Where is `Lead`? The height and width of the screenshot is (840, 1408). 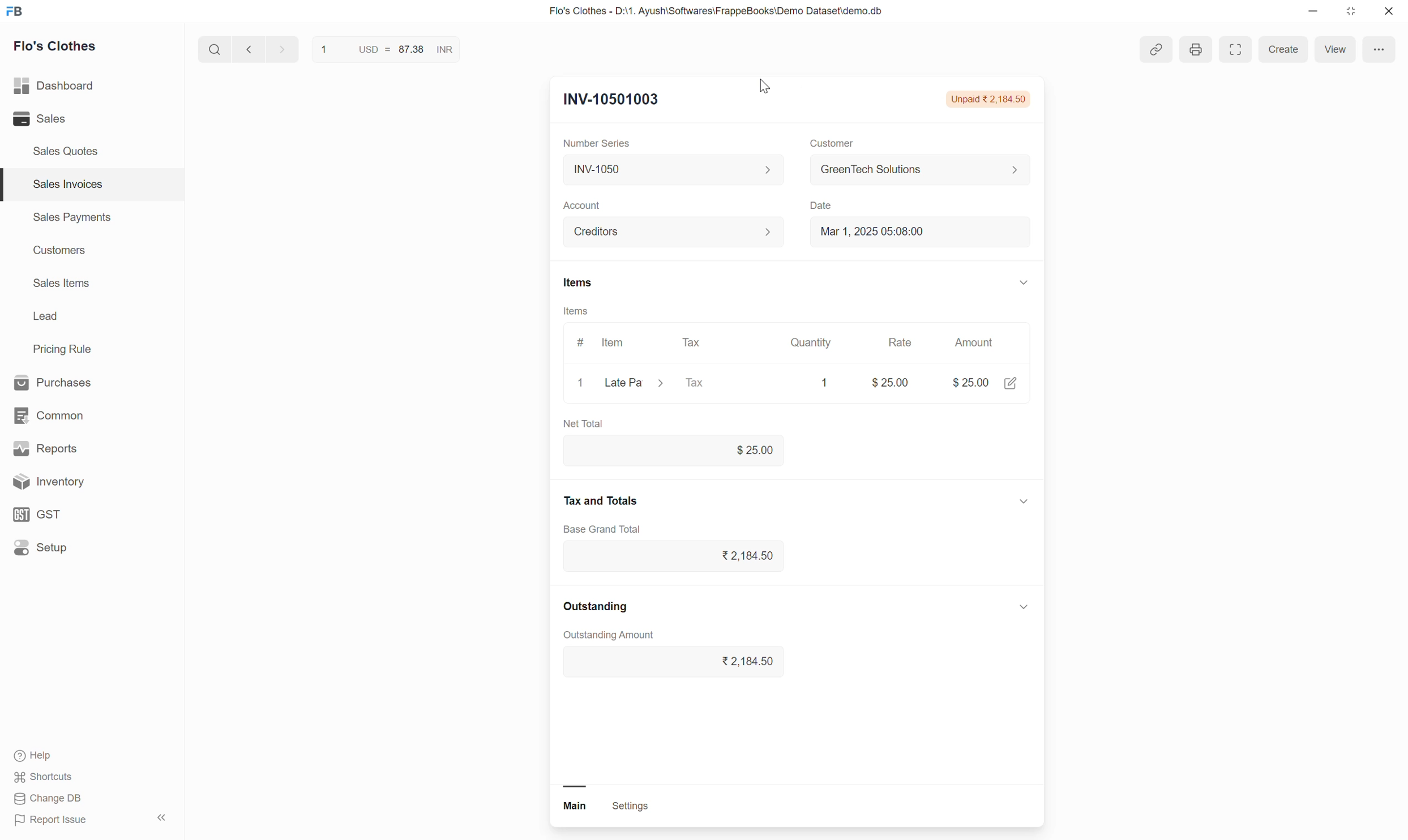 Lead is located at coordinates (45, 318).